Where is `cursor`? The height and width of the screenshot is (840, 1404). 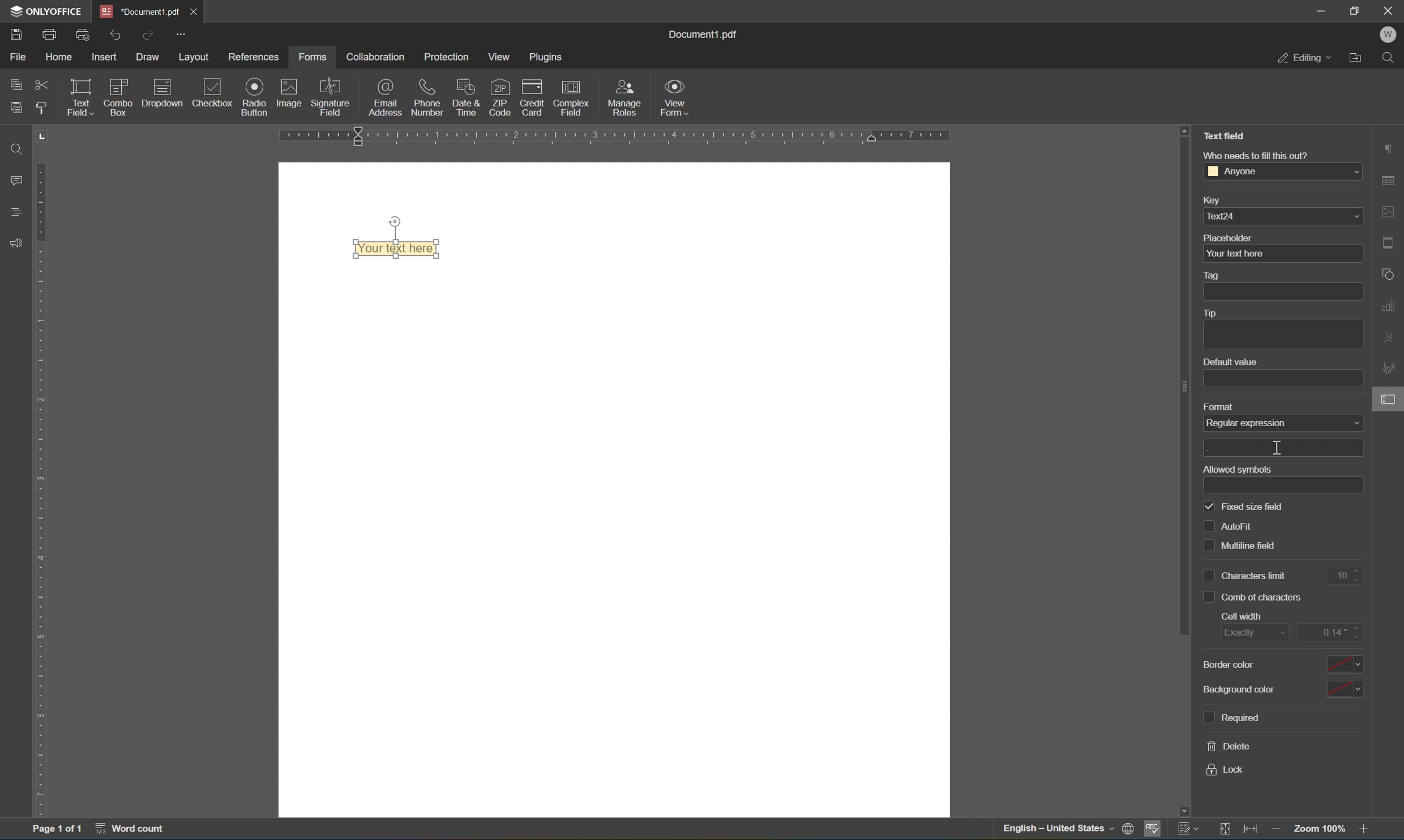 cursor is located at coordinates (1277, 447).